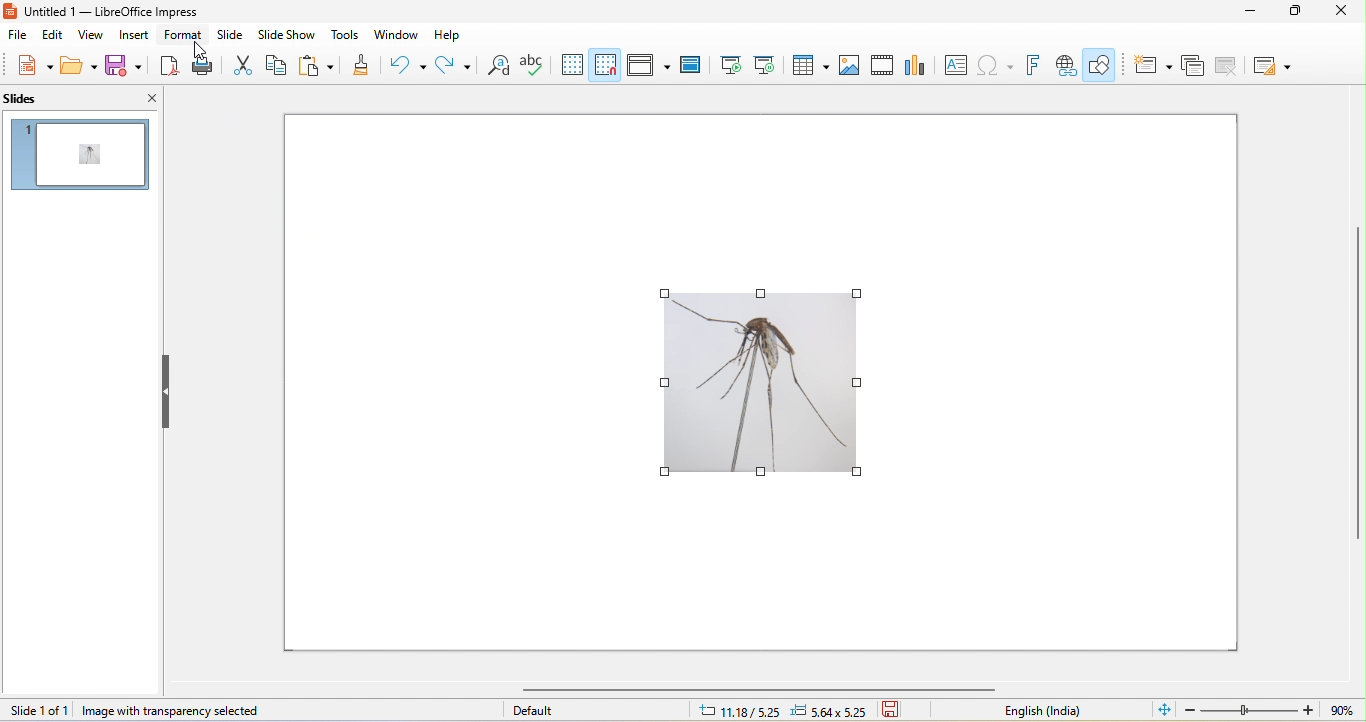 The height and width of the screenshot is (722, 1366). I want to click on vertical scroll, so click(1357, 383).